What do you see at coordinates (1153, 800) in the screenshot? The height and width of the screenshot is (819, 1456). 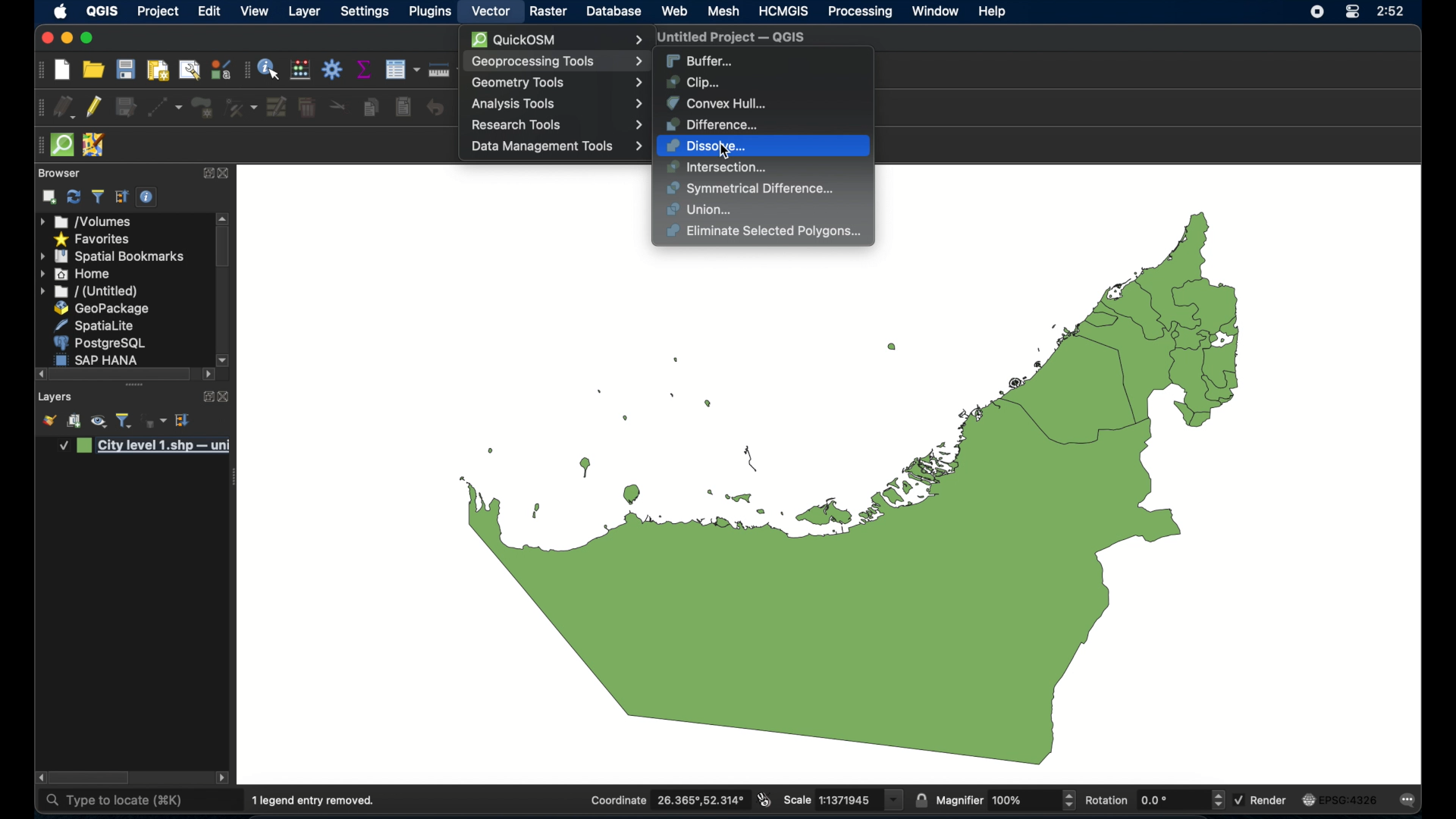 I see `rotation` at bounding box center [1153, 800].